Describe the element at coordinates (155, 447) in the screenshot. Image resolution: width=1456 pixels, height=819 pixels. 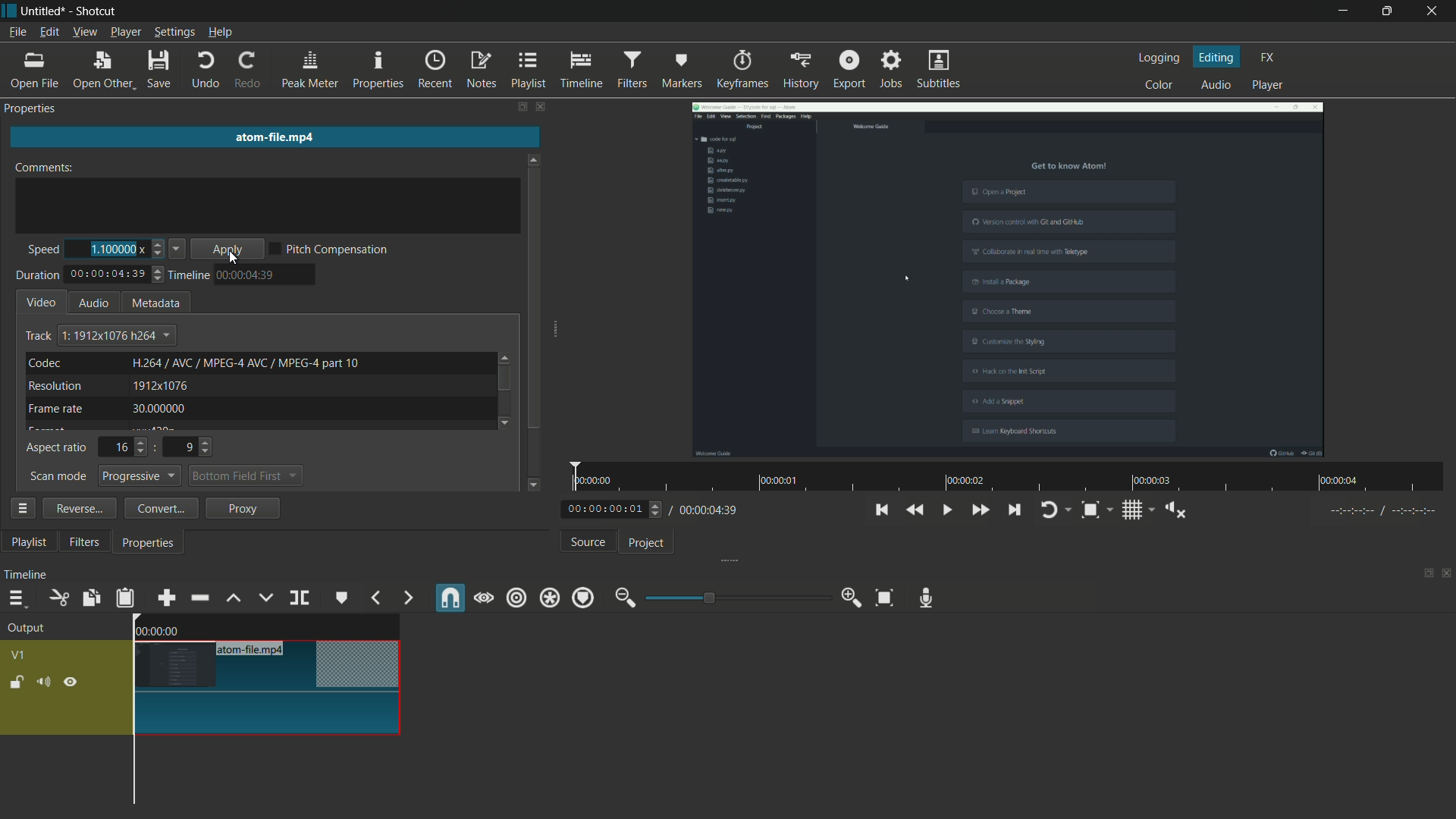
I see `:` at that location.